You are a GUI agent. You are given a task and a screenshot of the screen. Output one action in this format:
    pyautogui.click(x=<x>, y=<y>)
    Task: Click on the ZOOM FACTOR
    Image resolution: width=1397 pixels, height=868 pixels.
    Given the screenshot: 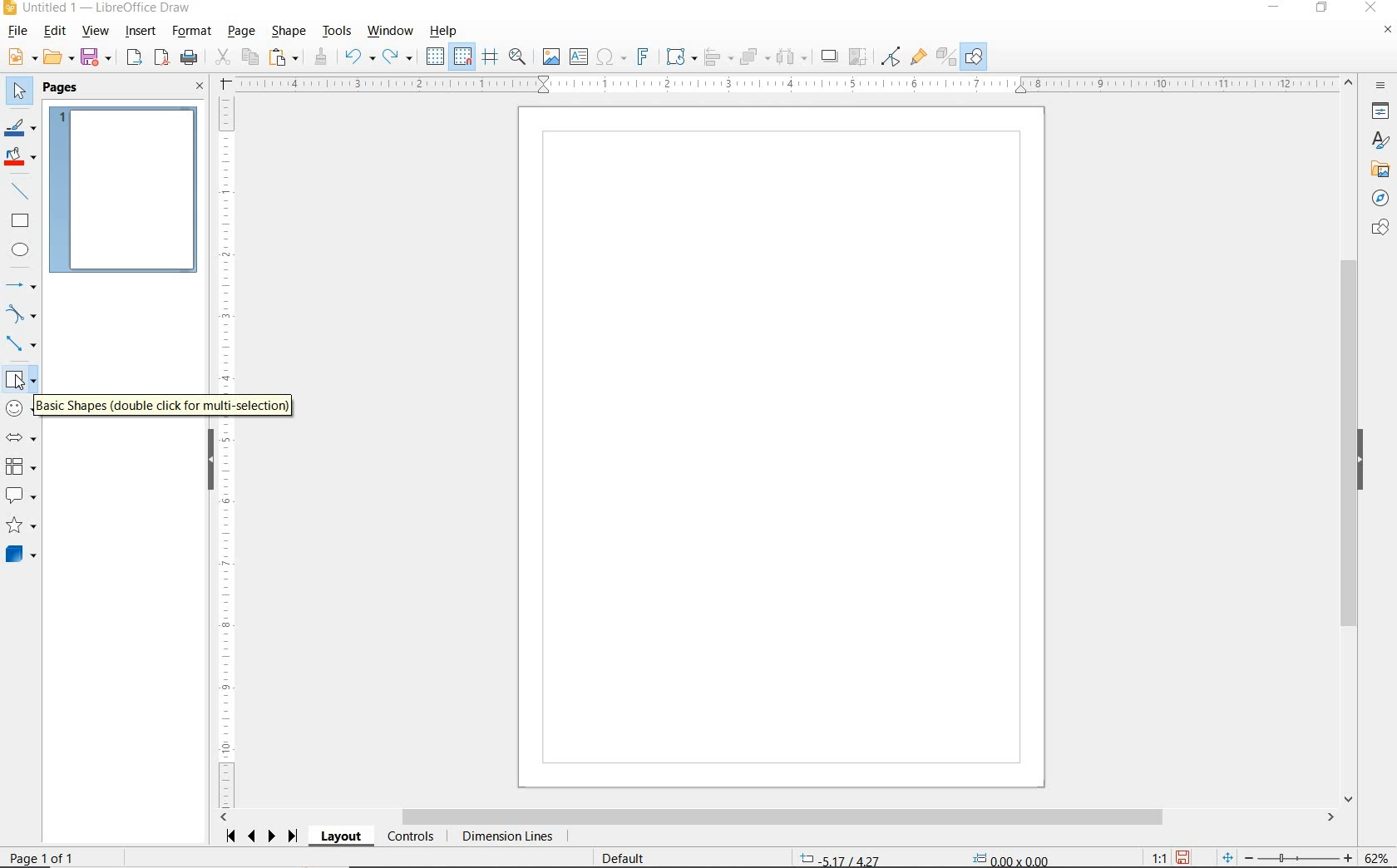 What is the action you would take?
    pyautogui.click(x=1375, y=858)
    